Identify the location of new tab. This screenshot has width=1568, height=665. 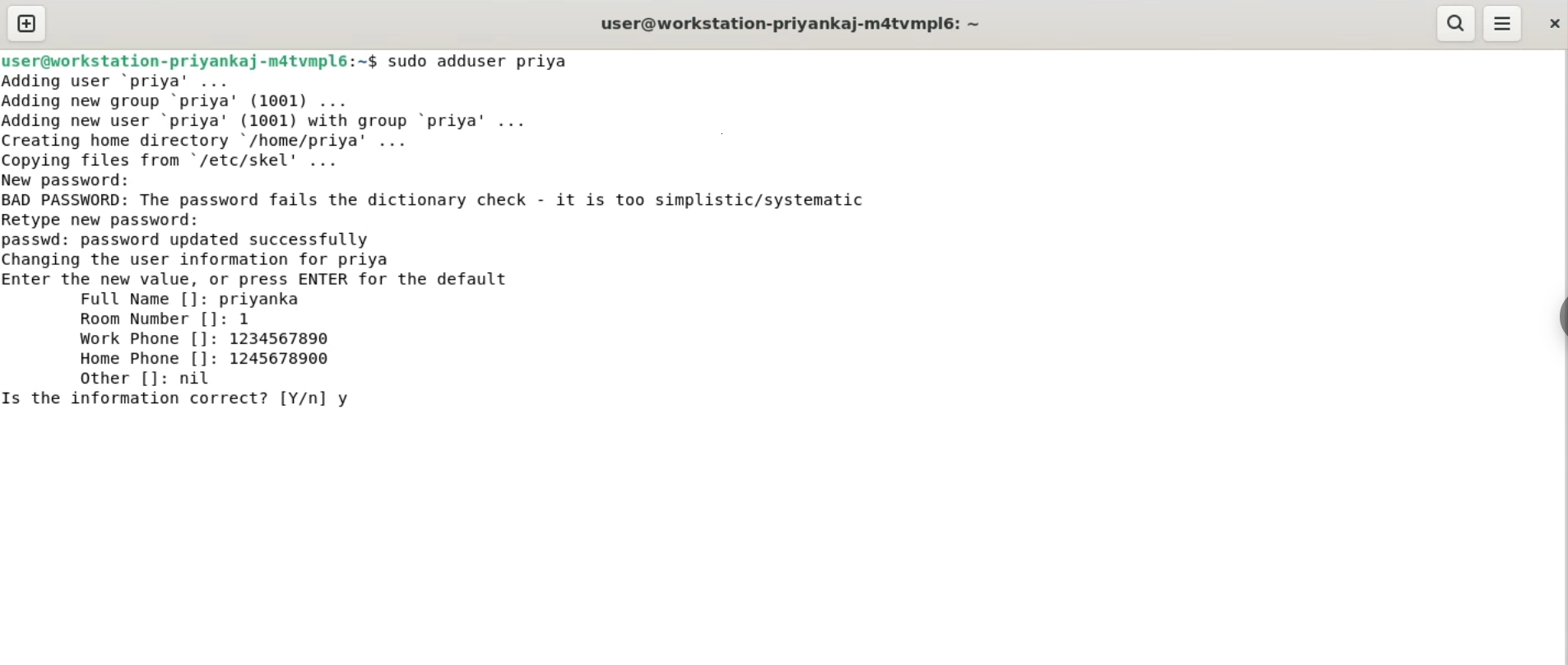
(27, 23).